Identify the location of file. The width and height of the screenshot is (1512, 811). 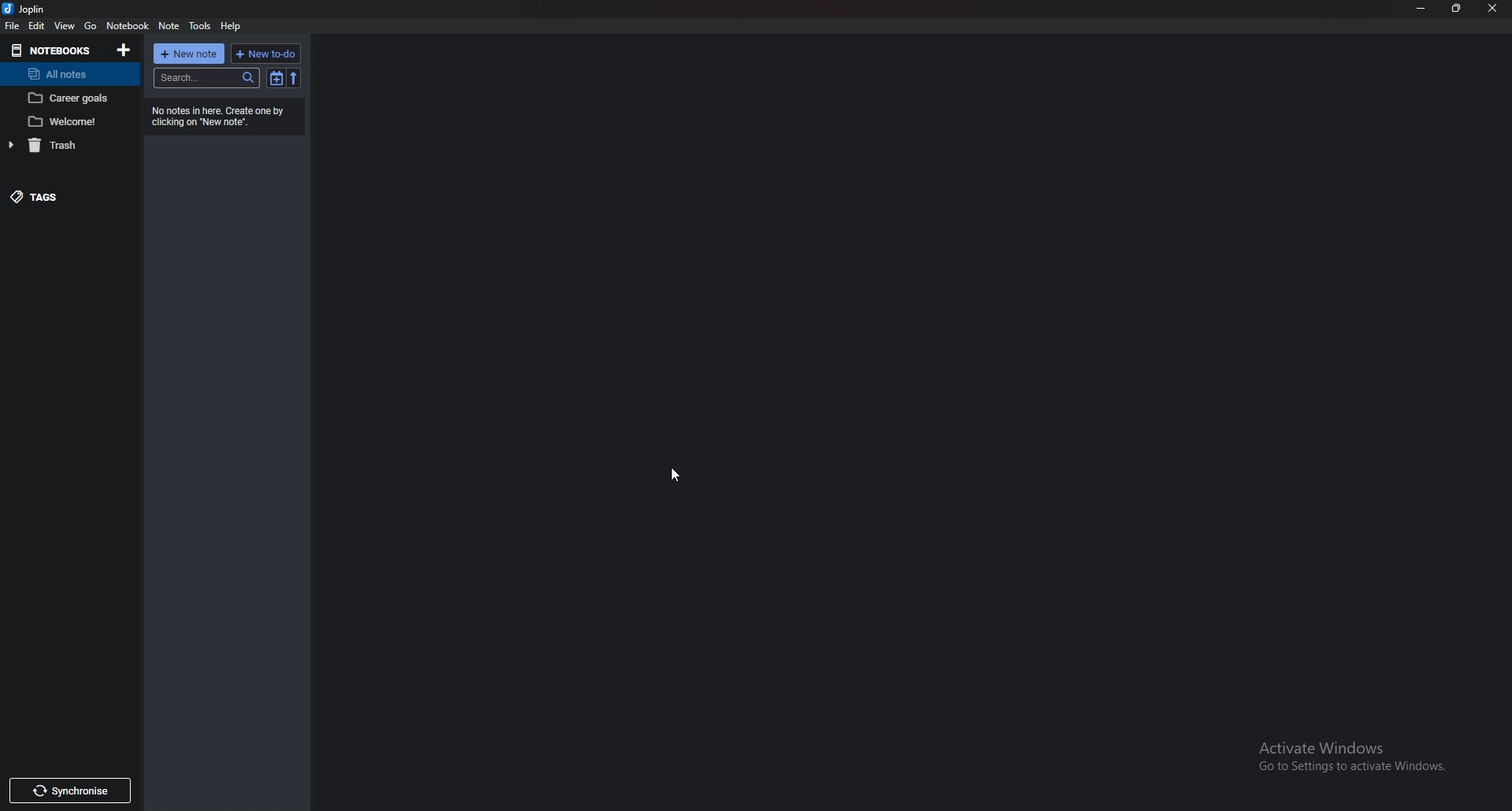
(11, 26).